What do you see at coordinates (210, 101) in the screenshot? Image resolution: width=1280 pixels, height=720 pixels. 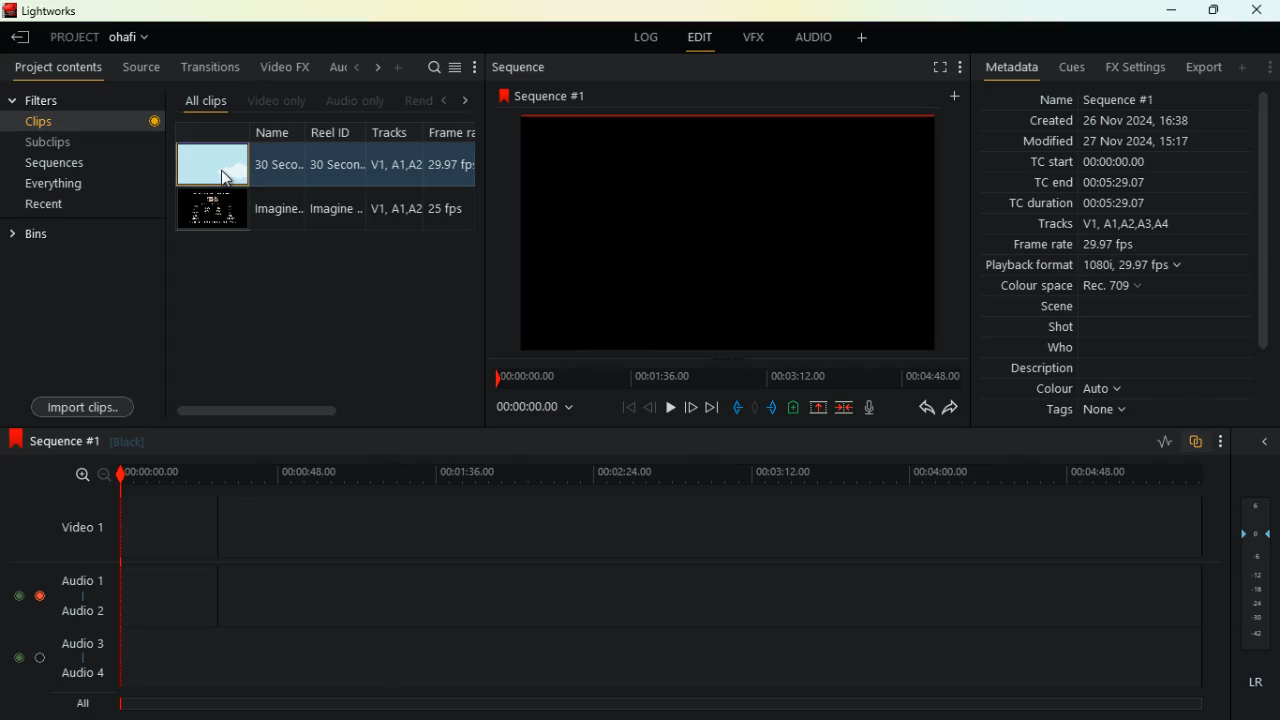 I see `all clips` at bounding box center [210, 101].